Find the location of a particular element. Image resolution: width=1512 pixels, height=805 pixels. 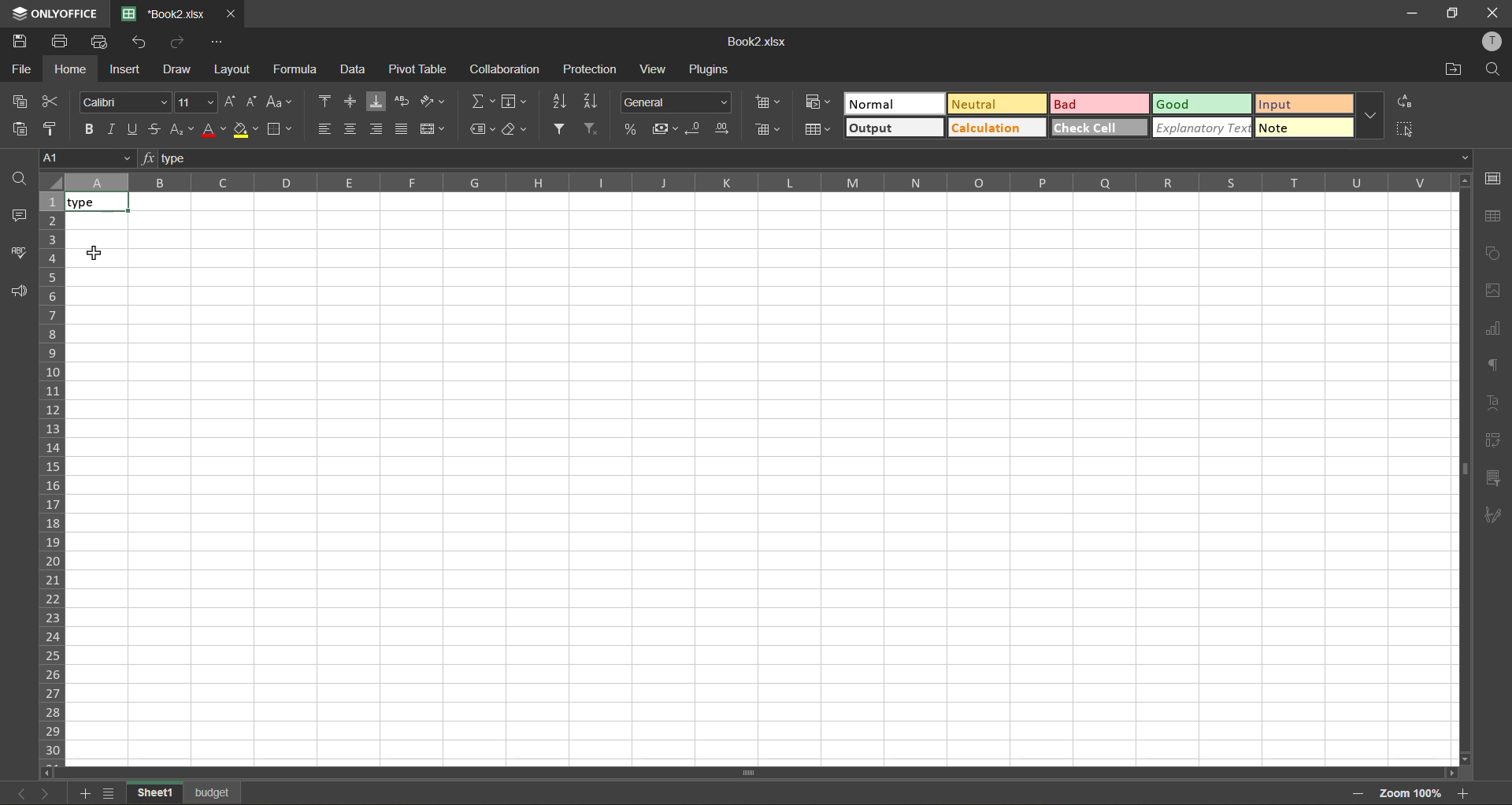

font size is located at coordinates (195, 101).